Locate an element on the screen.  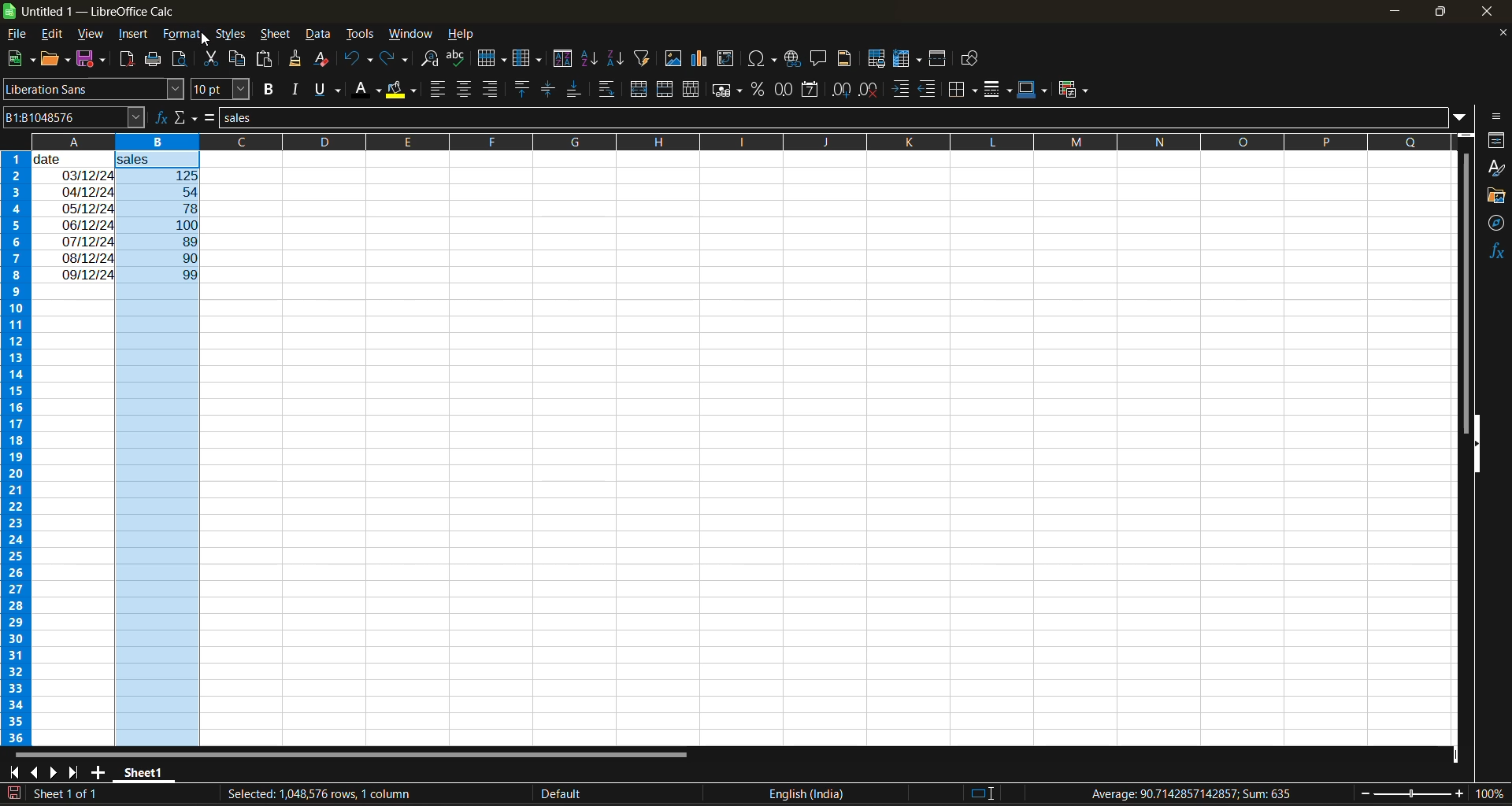
insert special characters is located at coordinates (763, 61).